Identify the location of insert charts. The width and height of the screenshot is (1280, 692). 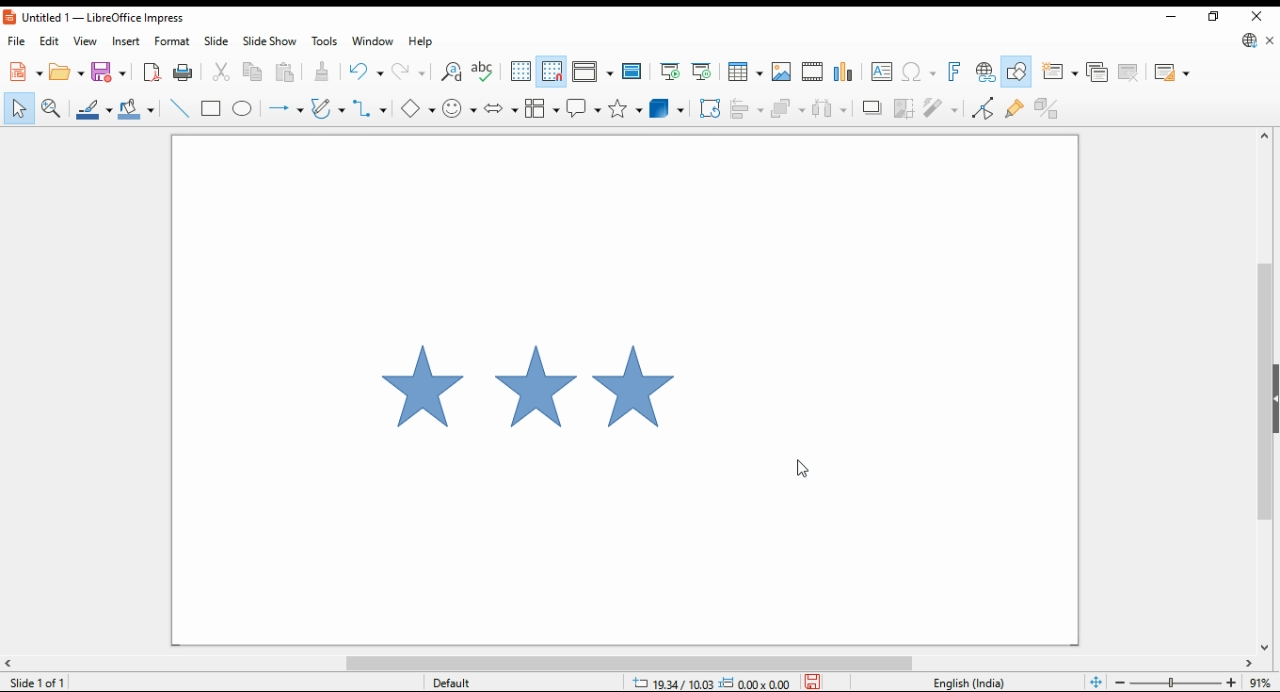
(844, 72).